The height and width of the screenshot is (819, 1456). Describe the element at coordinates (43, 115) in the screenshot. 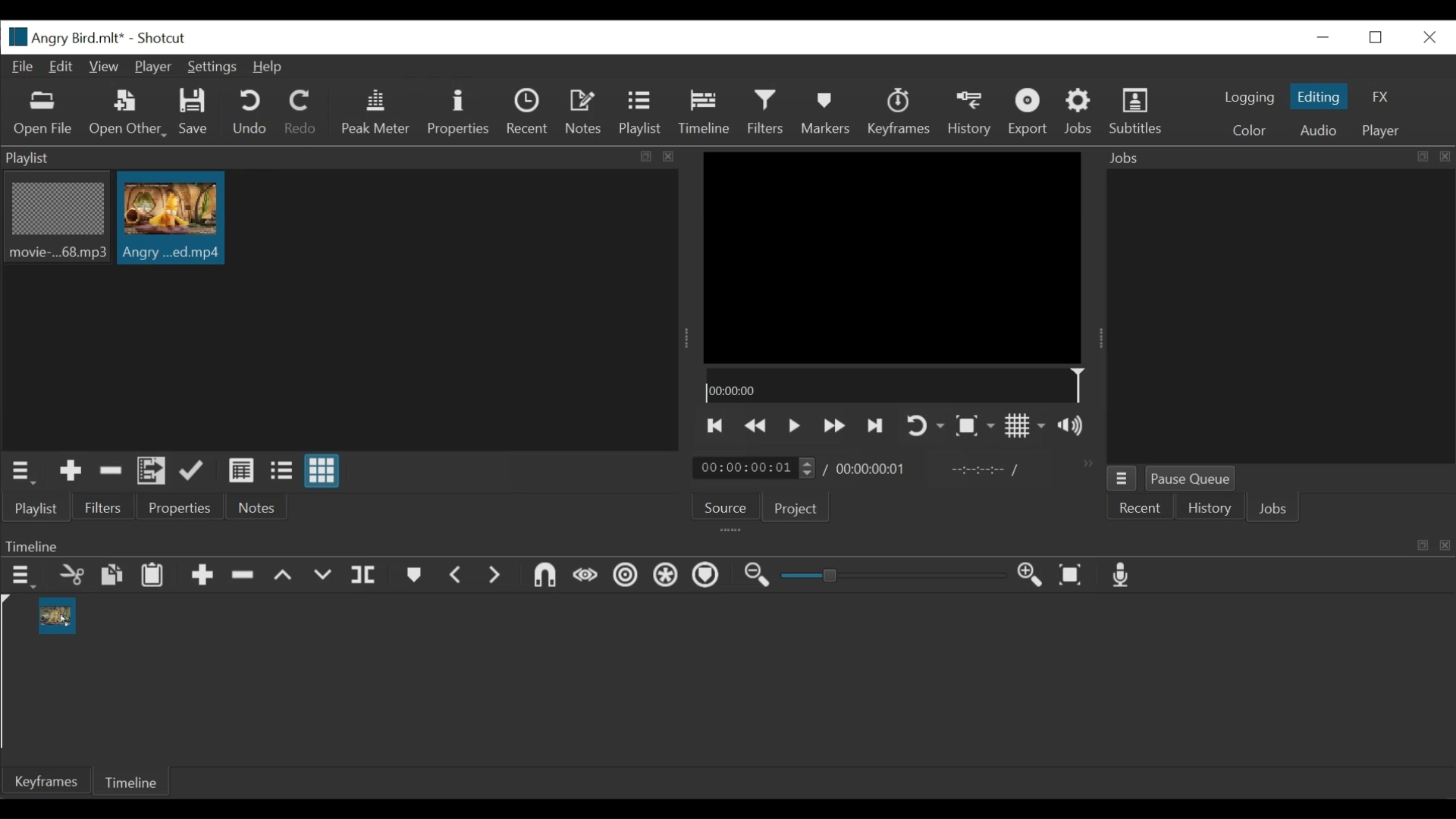

I see `Open File` at that location.